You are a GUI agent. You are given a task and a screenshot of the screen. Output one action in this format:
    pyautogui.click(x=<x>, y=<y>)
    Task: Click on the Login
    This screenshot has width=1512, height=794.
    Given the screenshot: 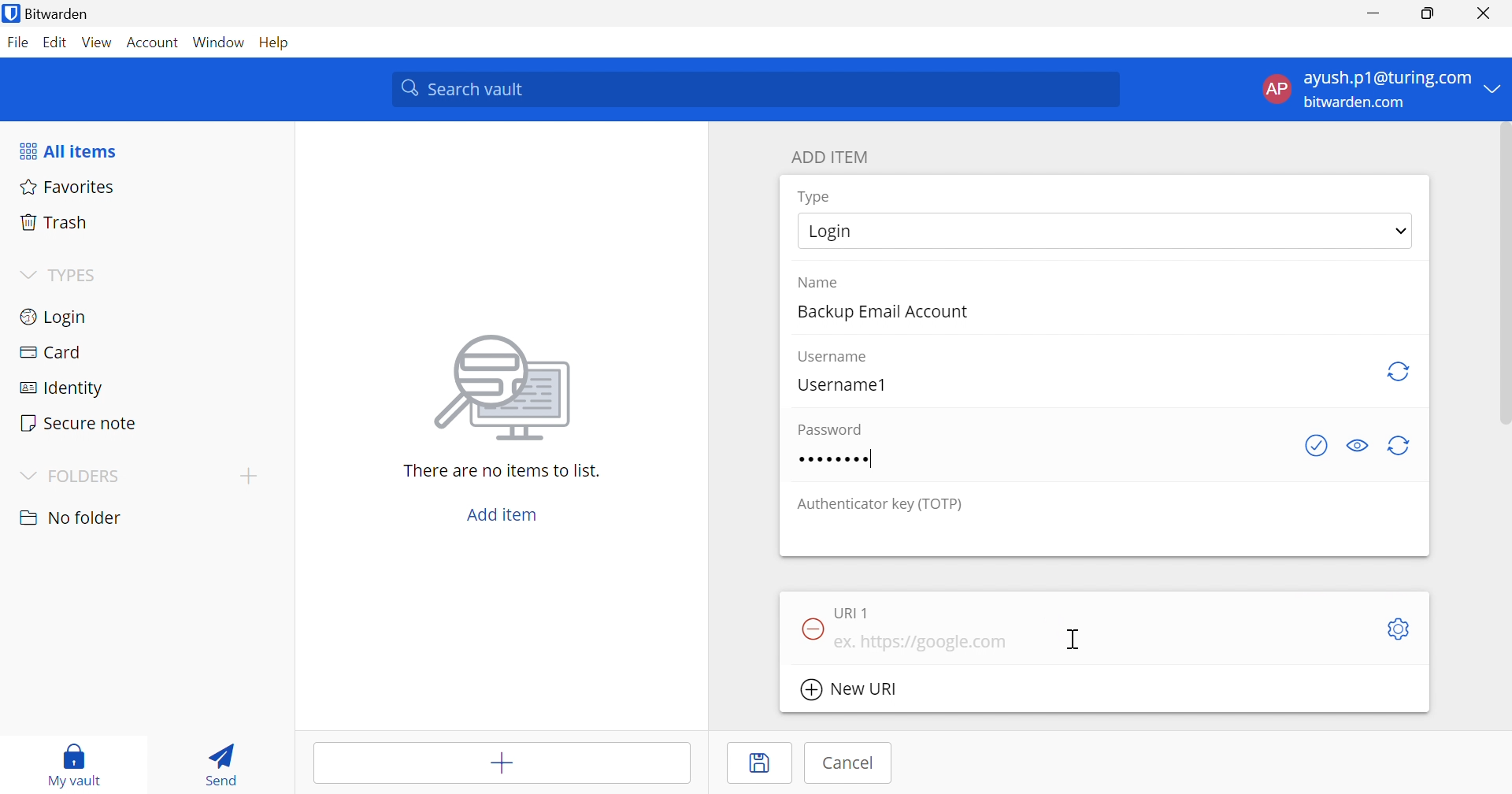 What is the action you would take?
    pyautogui.click(x=56, y=317)
    